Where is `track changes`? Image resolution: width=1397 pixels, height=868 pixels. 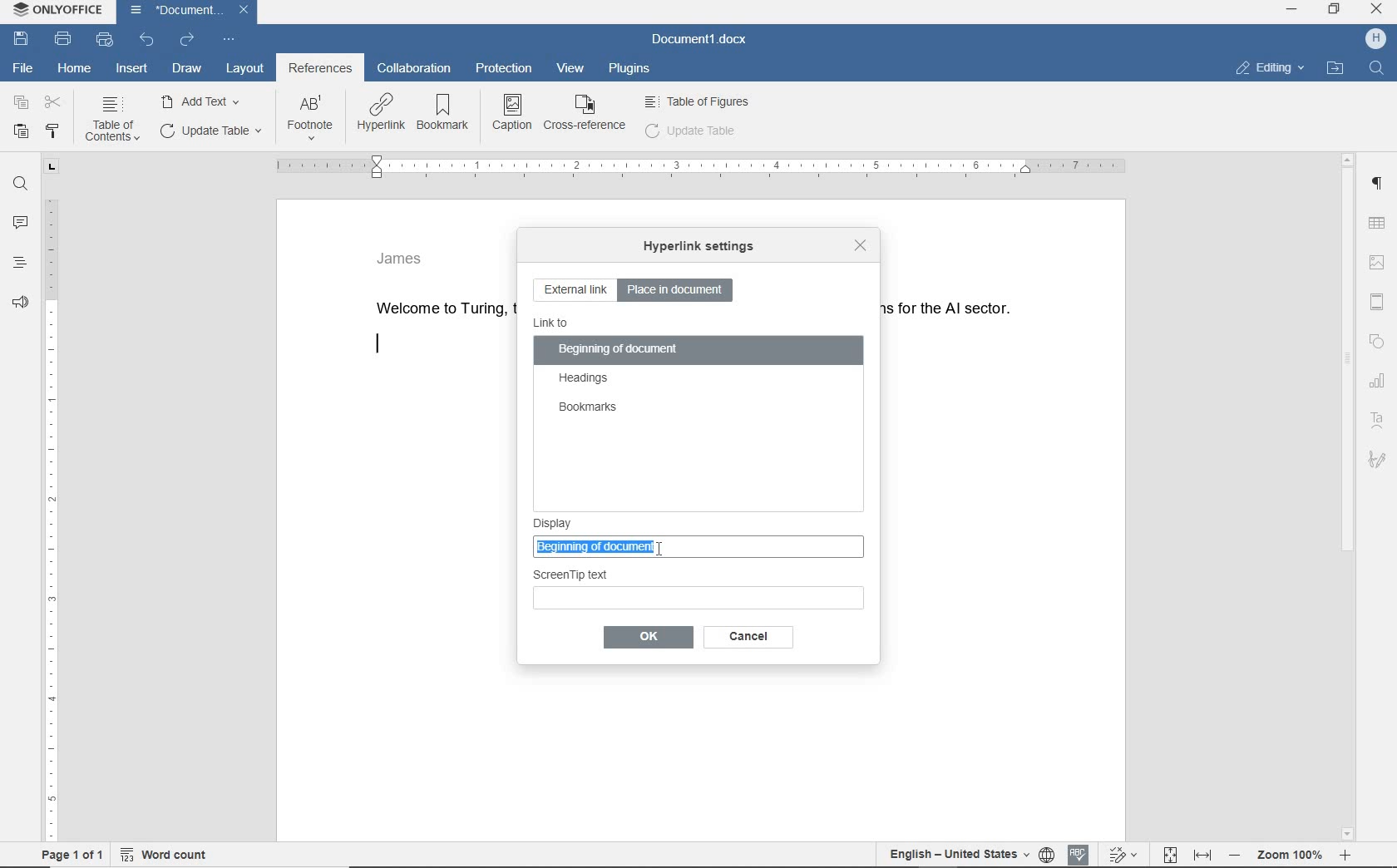
track changes is located at coordinates (1124, 855).